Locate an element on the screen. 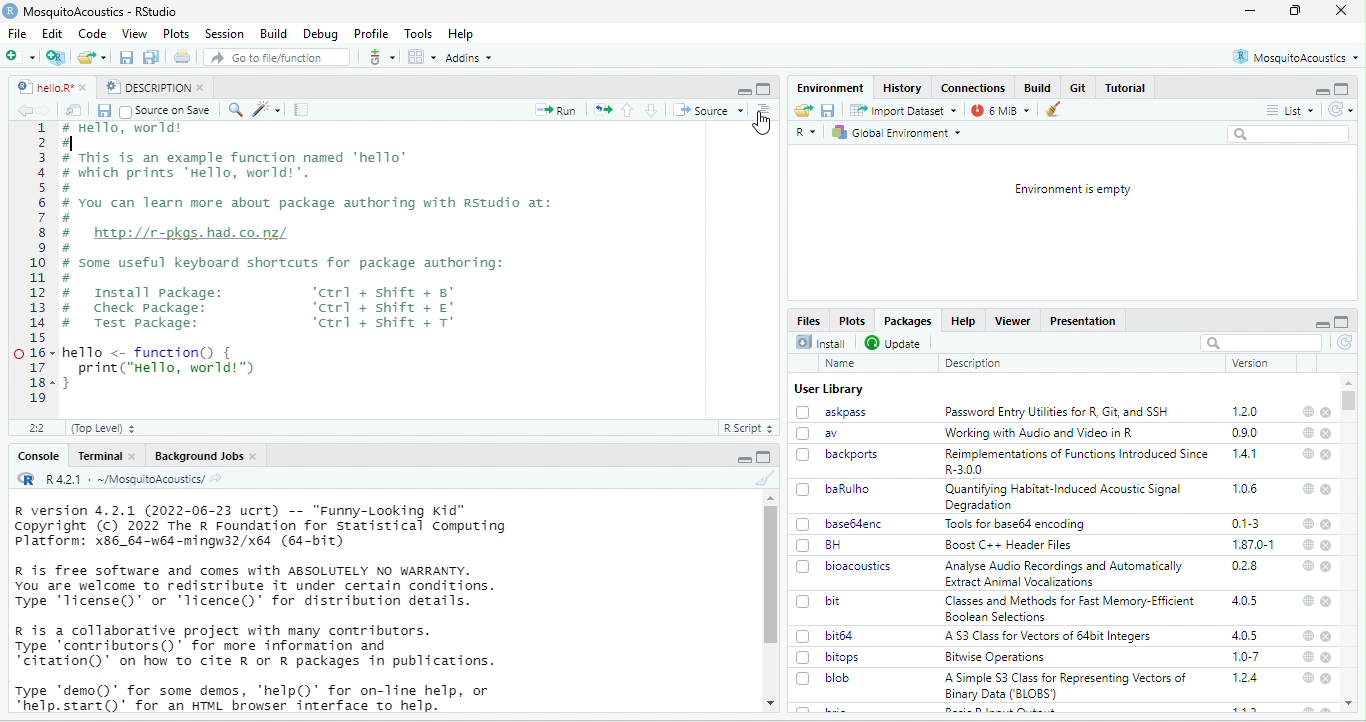  Edit is located at coordinates (53, 33).